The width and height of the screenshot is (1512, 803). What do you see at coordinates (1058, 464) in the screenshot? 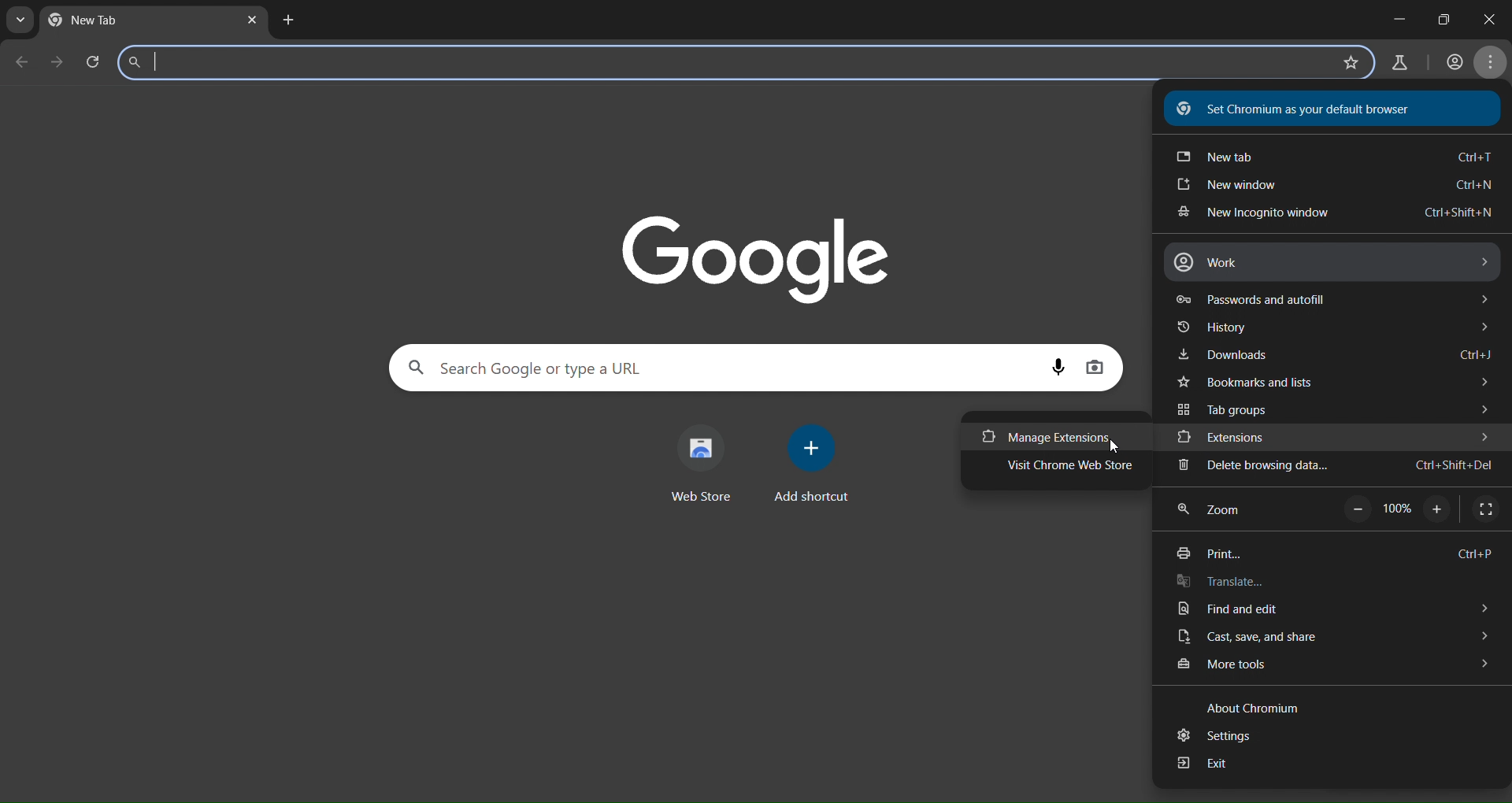
I see `visit chrome web store` at bounding box center [1058, 464].